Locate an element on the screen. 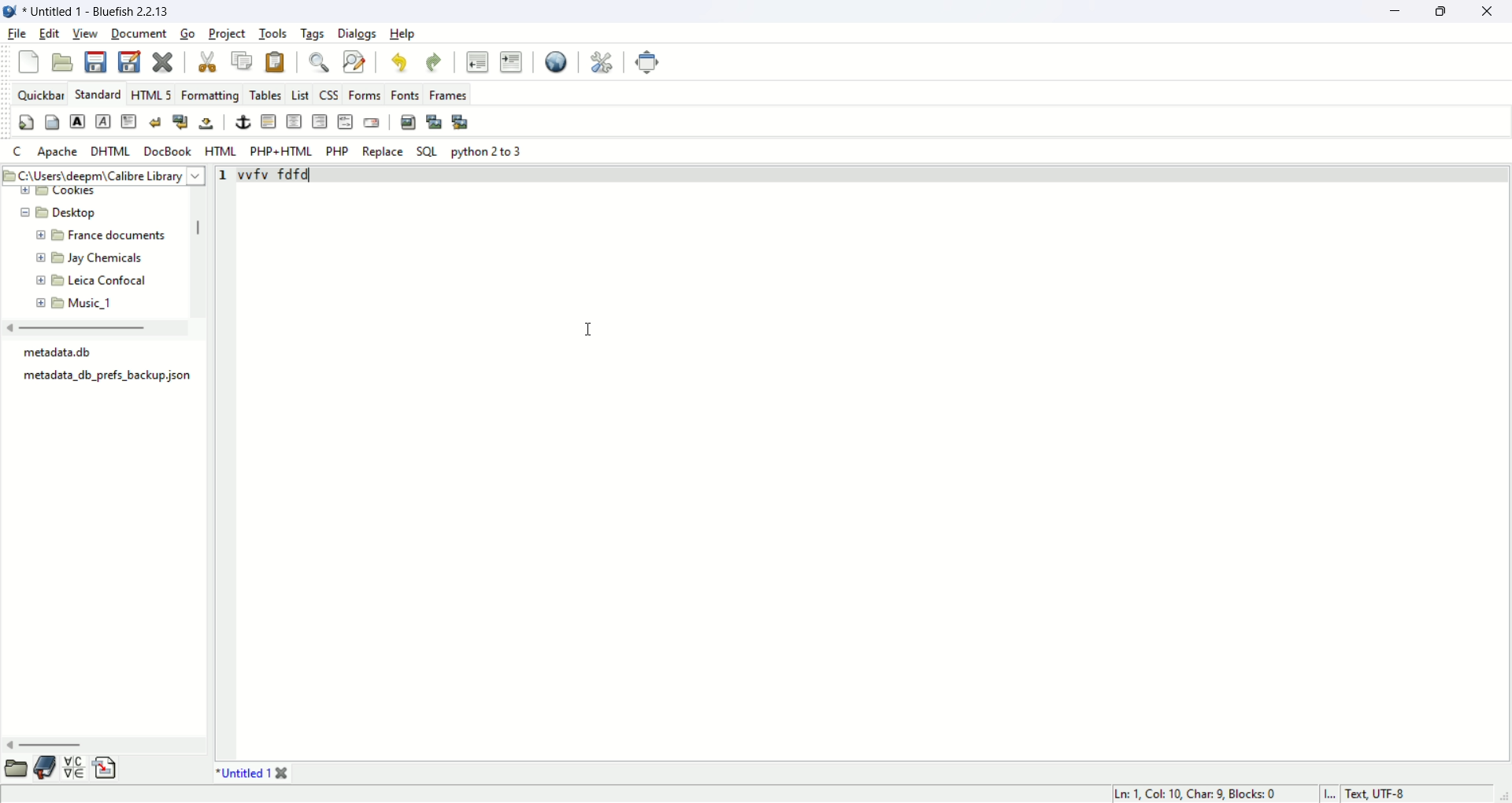 Image resolution: width=1512 pixels, height=803 pixels.  France documents is located at coordinates (114, 238).